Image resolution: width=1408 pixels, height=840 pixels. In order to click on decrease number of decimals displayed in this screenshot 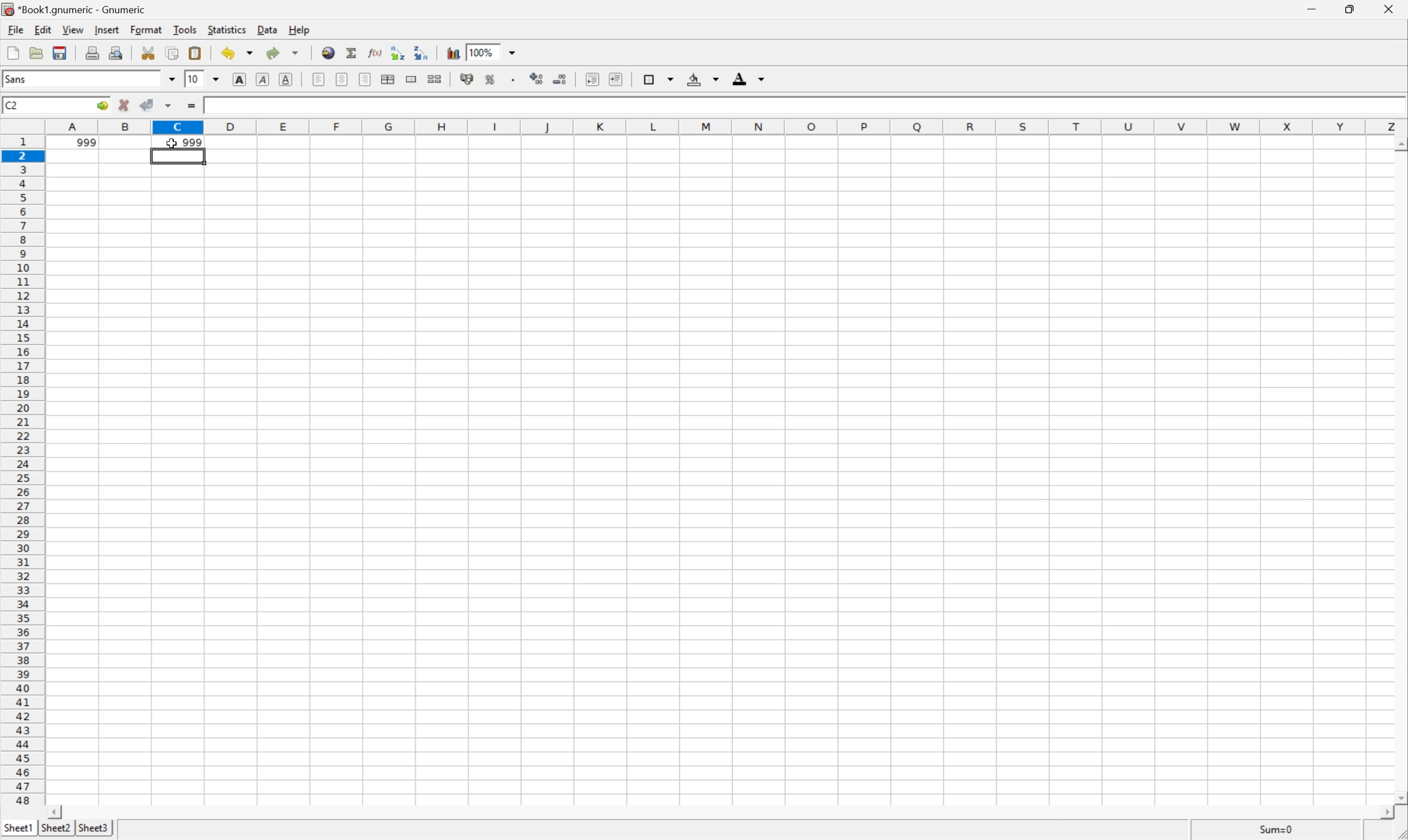, I will do `click(560, 79)`.